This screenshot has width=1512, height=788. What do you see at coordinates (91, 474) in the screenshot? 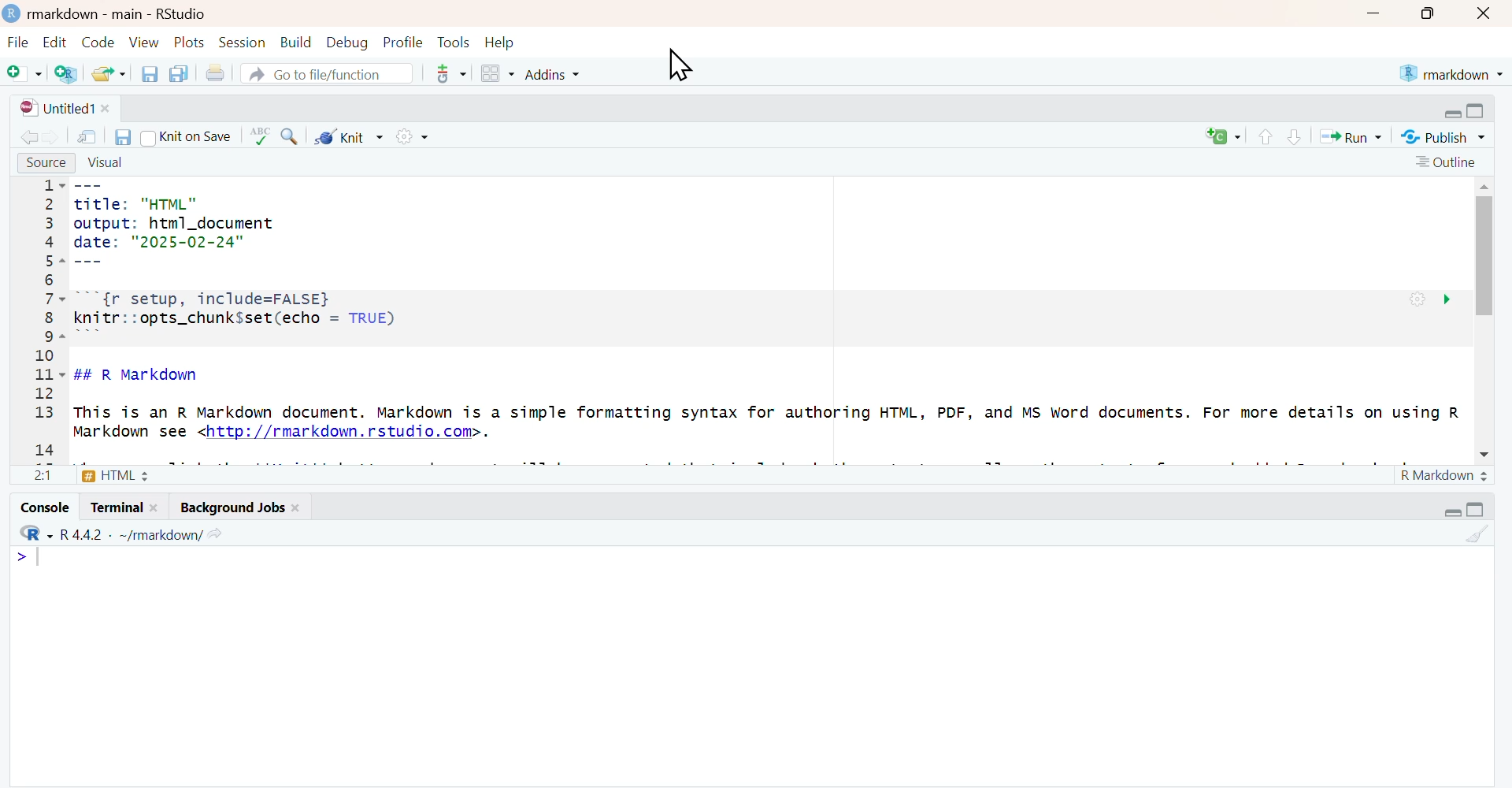
I see `HTML` at bounding box center [91, 474].